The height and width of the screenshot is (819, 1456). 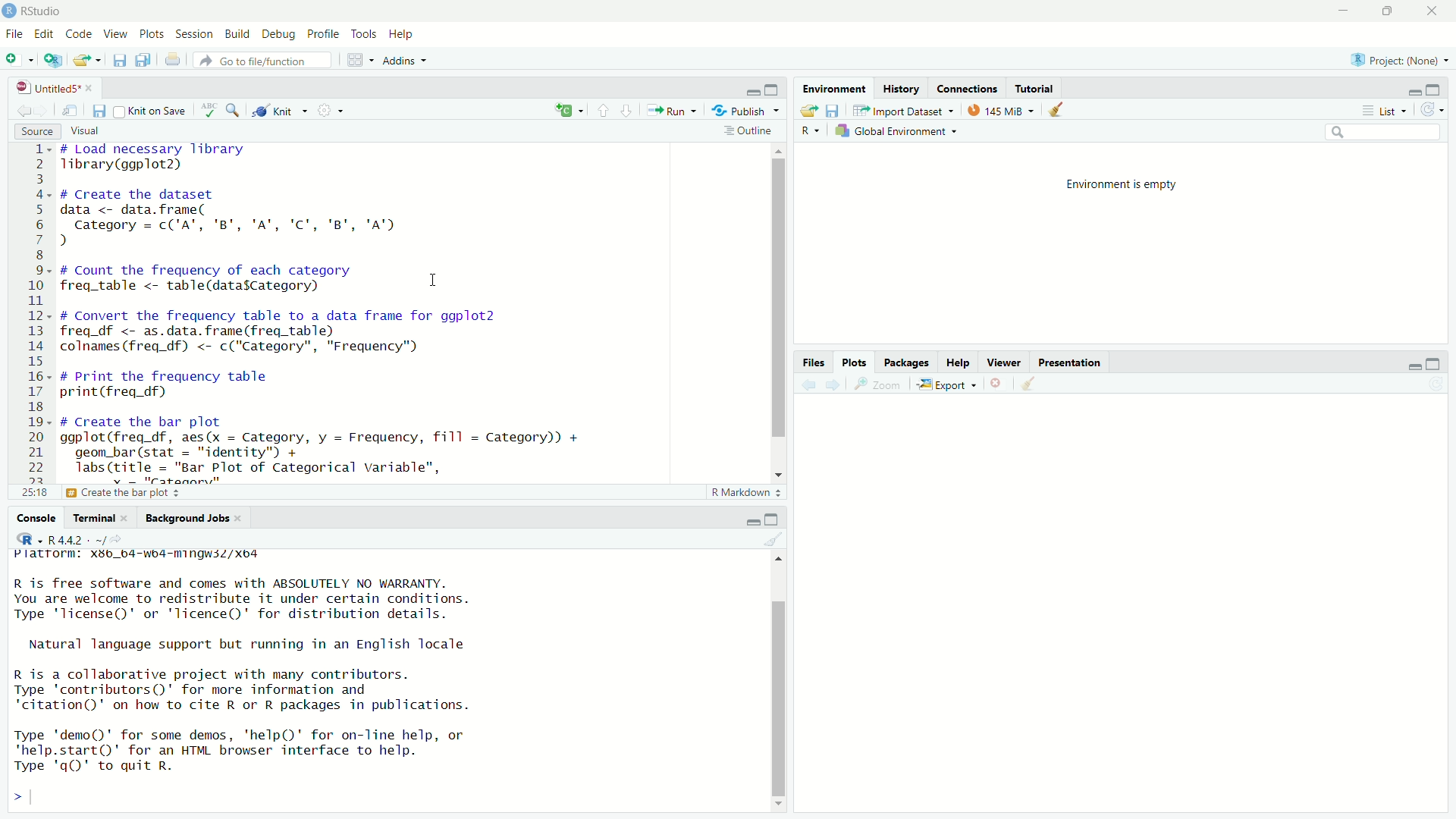 What do you see at coordinates (1072, 363) in the screenshot?
I see `presentation` at bounding box center [1072, 363].